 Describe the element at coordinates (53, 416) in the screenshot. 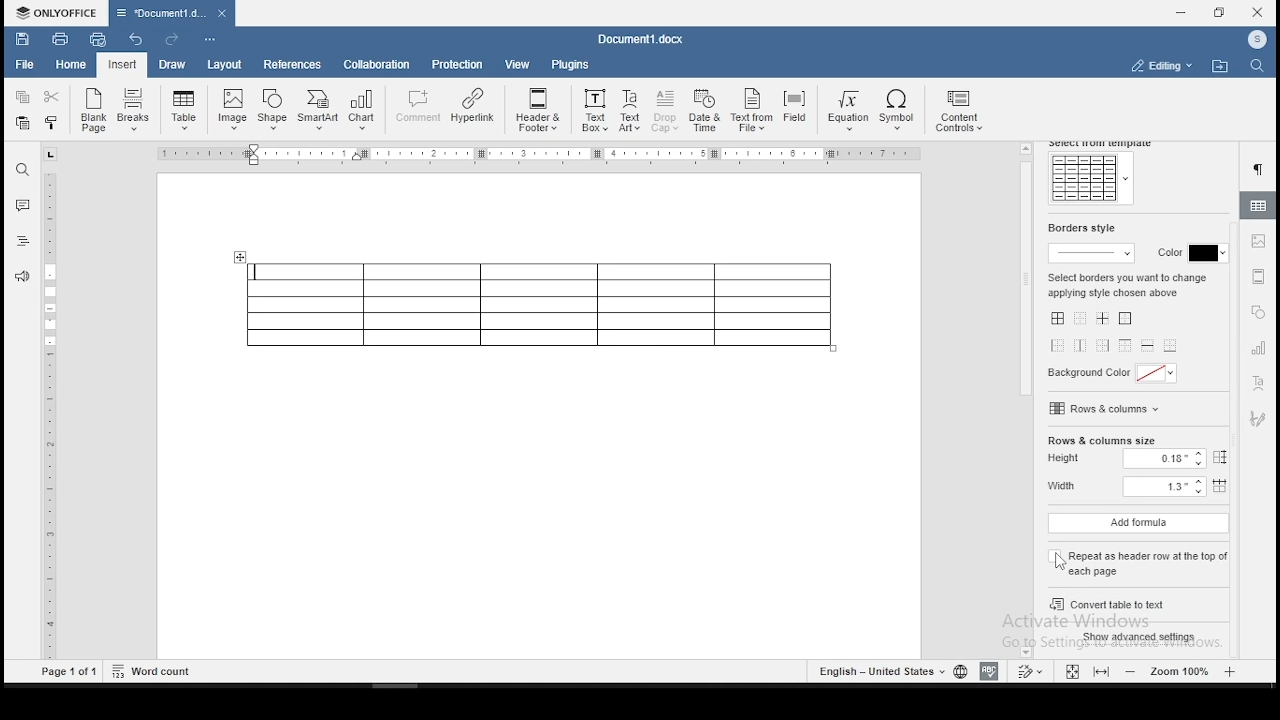

I see `ruler` at that location.